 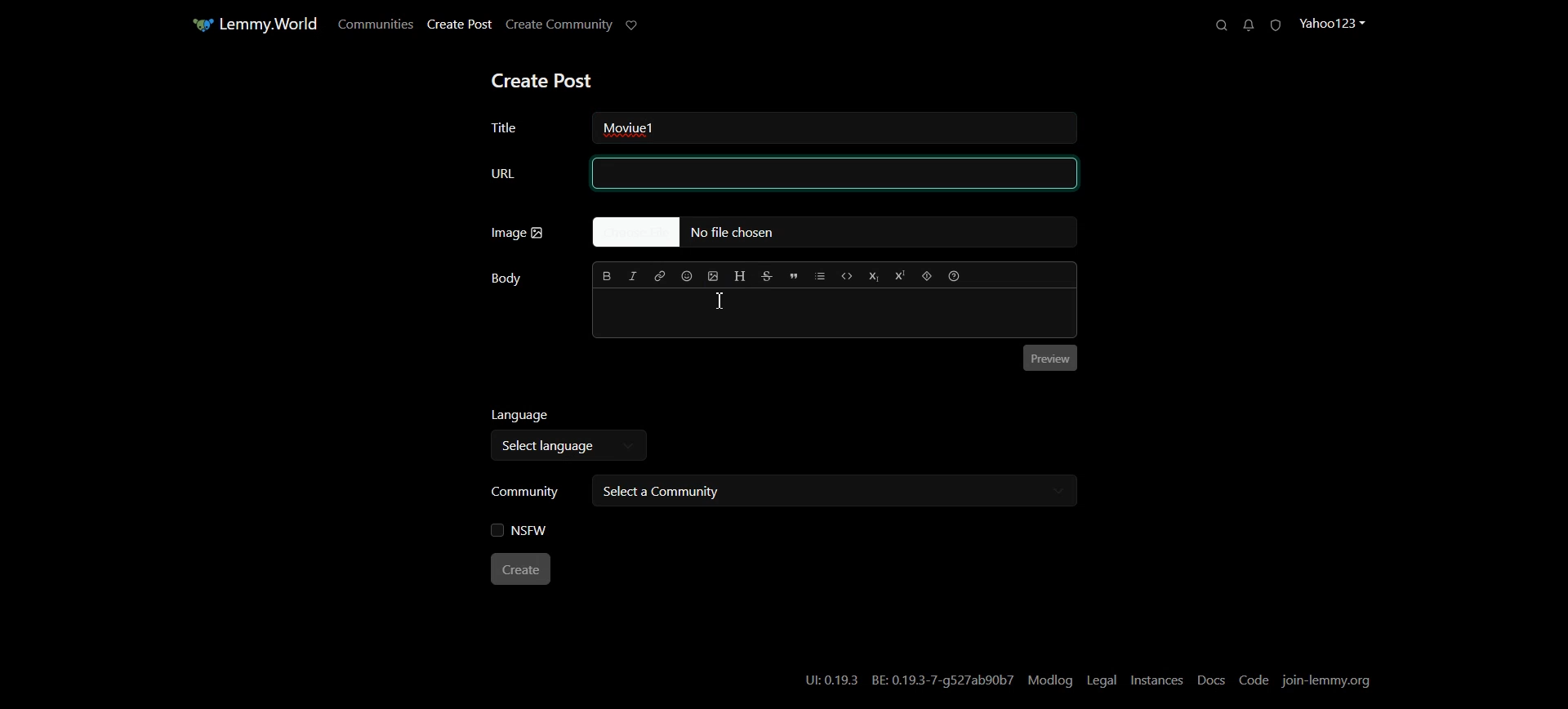 What do you see at coordinates (560, 25) in the screenshot?
I see `Create Community` at bounding box center [560, 25].